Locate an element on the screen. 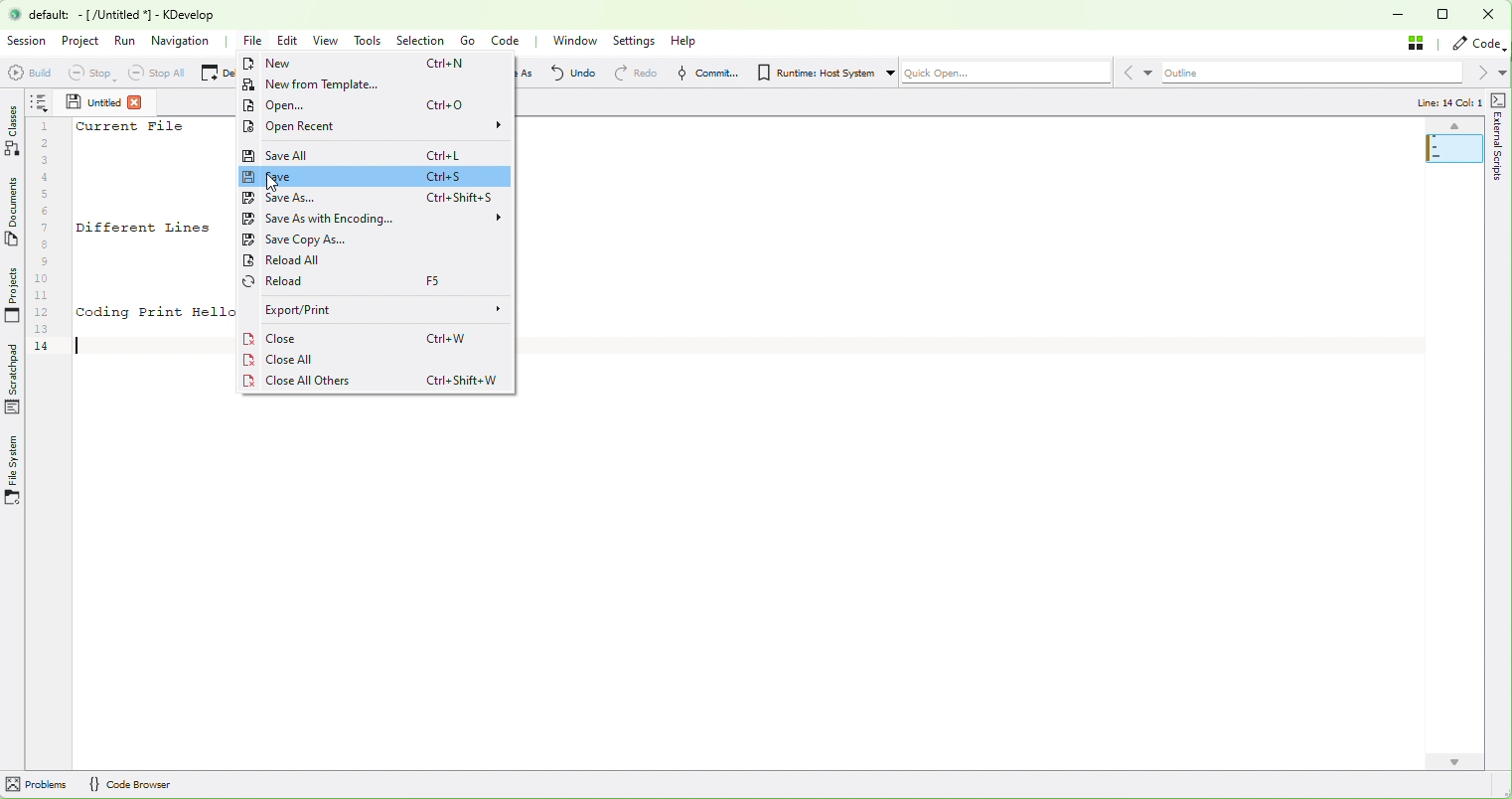 This screenshot has height=799, width=1512. cursor is located at coordinates (275, 184).